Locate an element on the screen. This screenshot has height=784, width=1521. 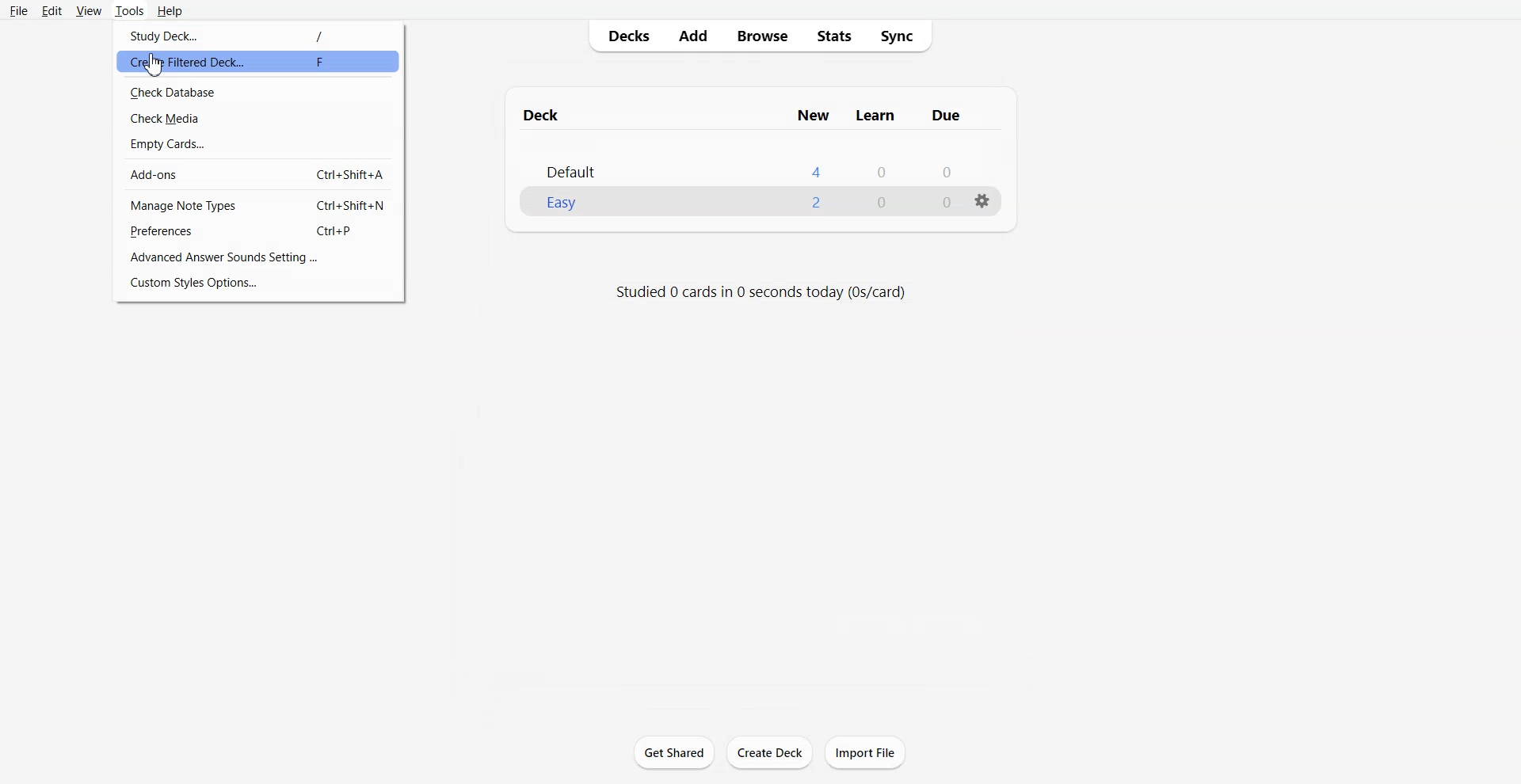
Check Media is located at coordinates (259, 117).